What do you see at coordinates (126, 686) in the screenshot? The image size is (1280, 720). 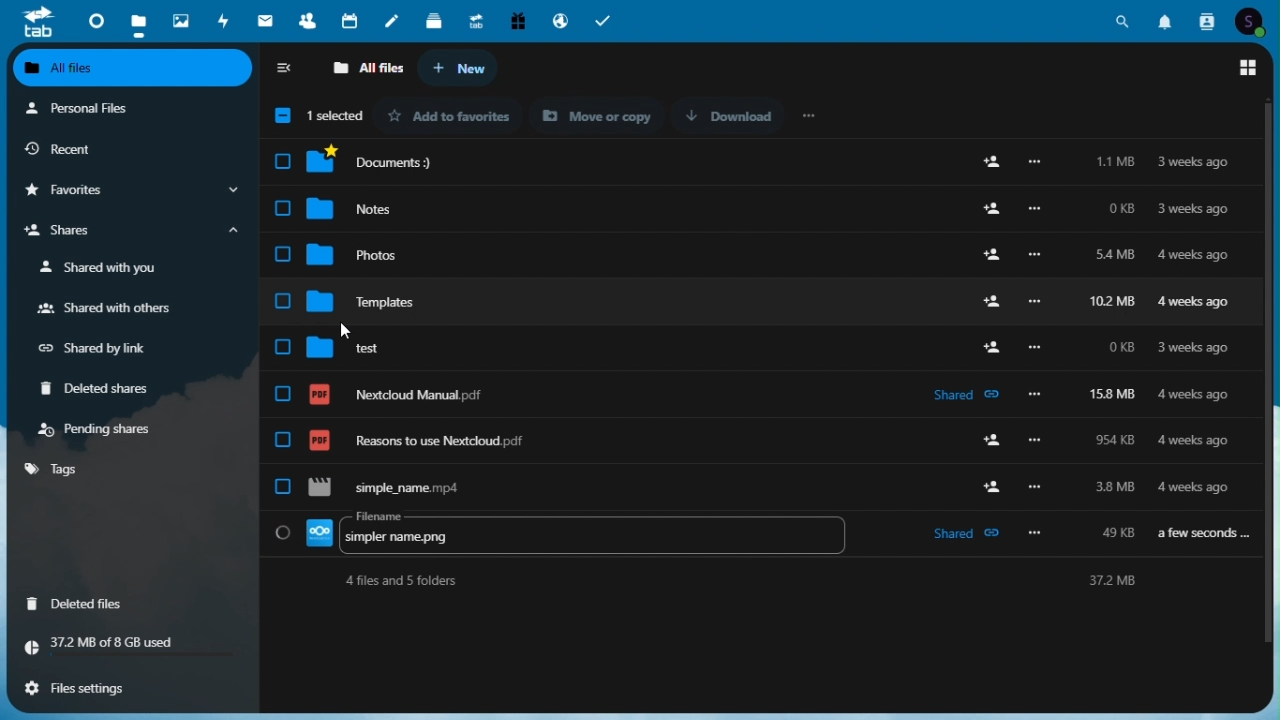 I see `file settings` at bounding box center [126, 686].